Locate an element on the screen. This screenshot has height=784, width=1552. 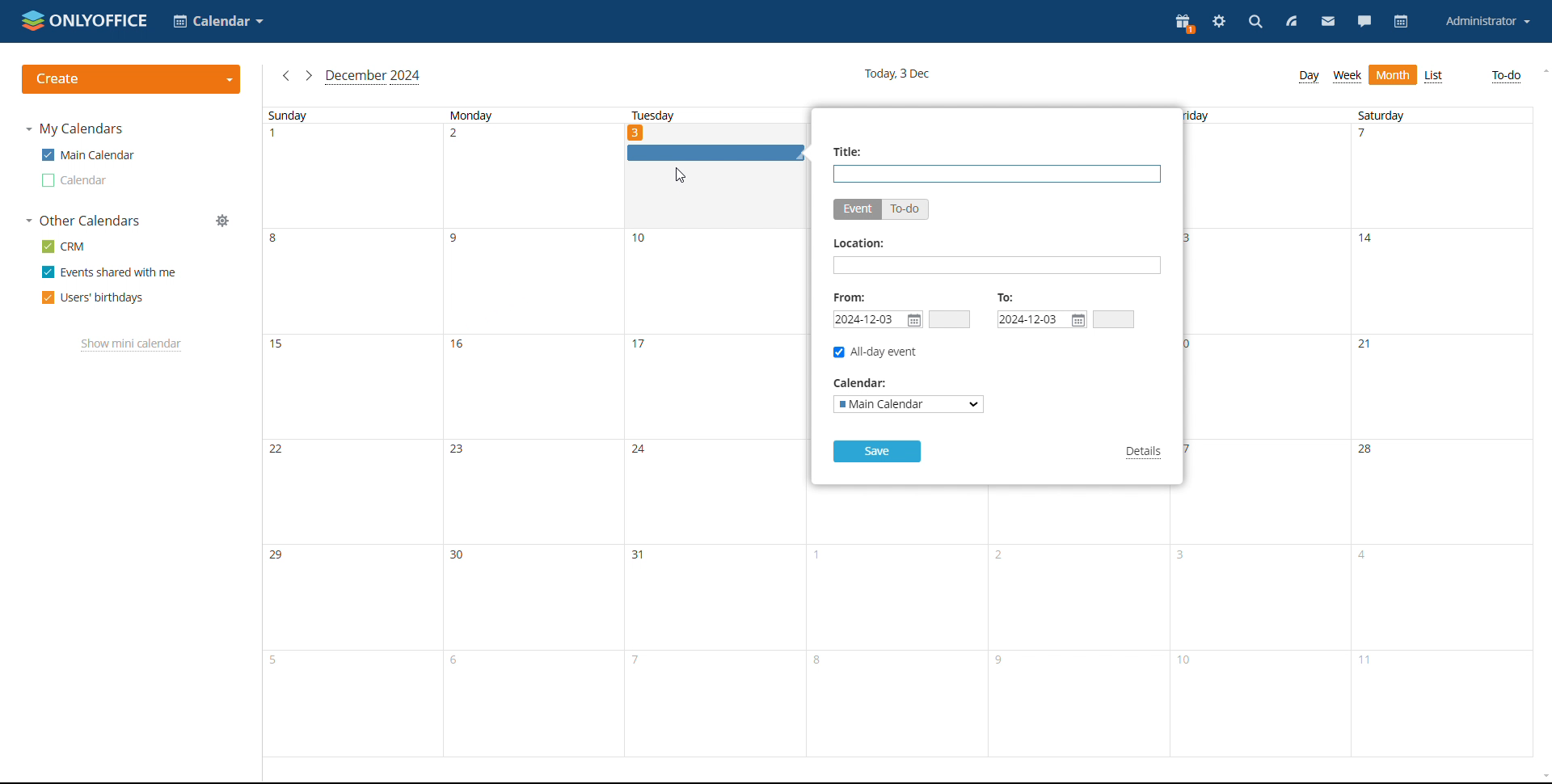
monday is located at coordinates (528, 432).